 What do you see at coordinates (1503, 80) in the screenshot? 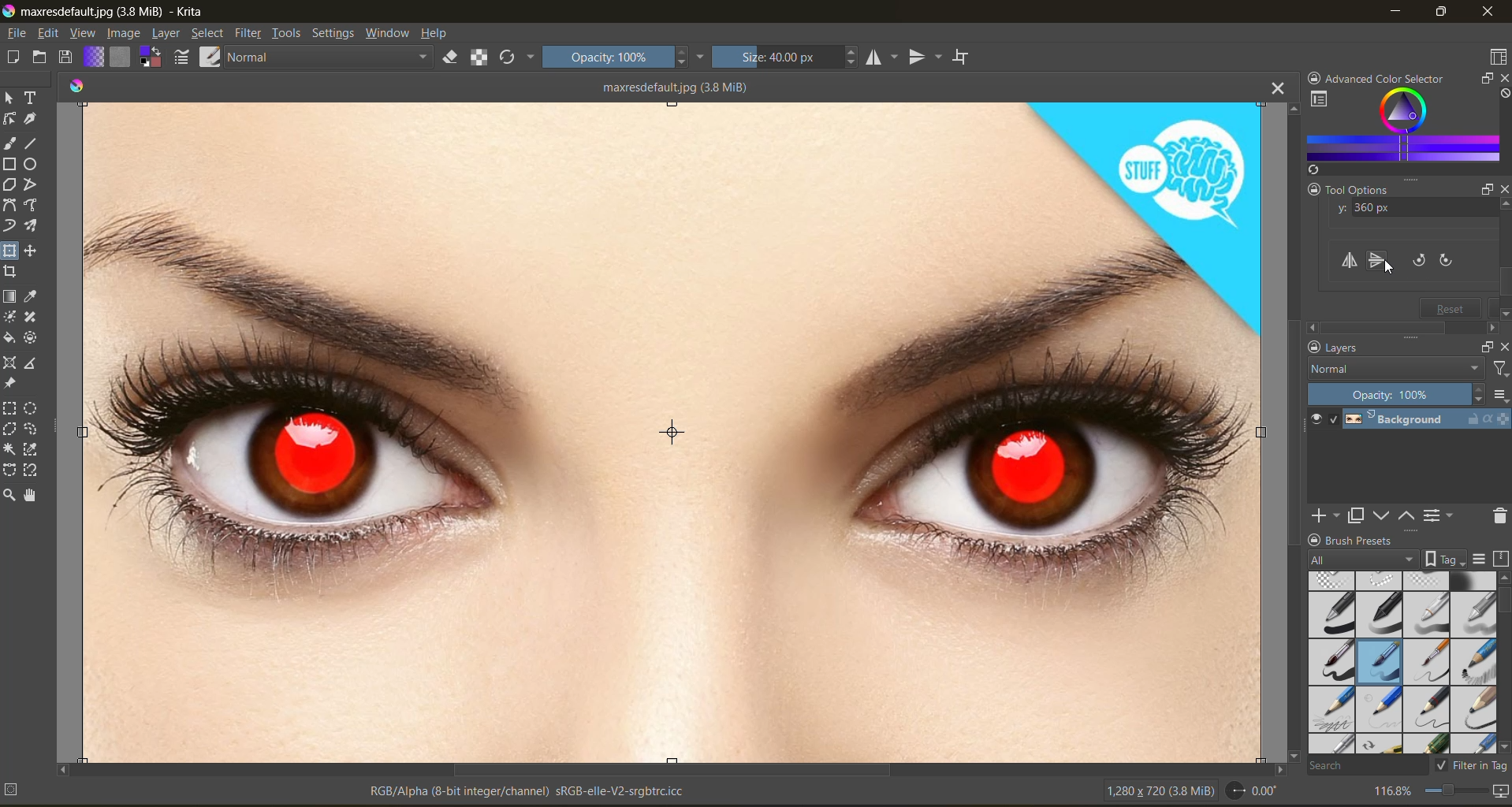
I see `close docker` at bounding box center [1503, 80].